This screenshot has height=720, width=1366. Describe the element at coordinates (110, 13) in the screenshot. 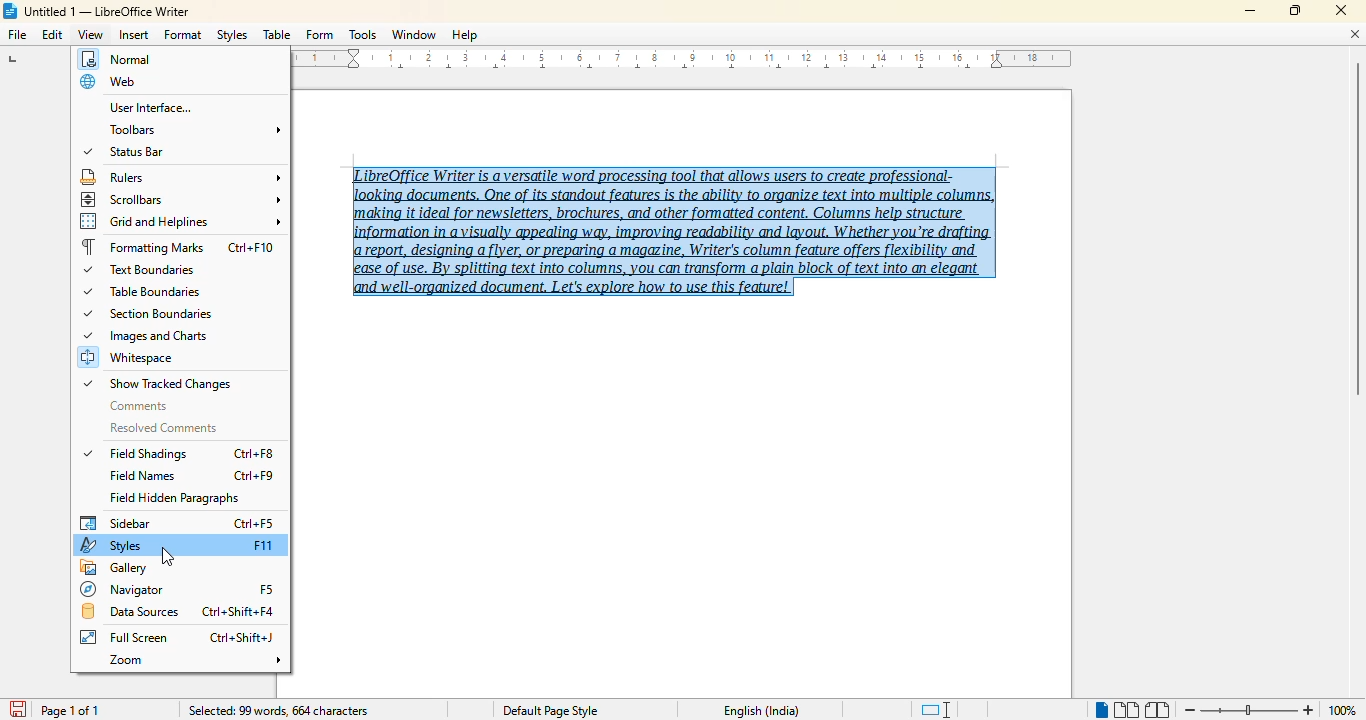

I see `Untitled 1 -- LibreOffice Writer` at that location.